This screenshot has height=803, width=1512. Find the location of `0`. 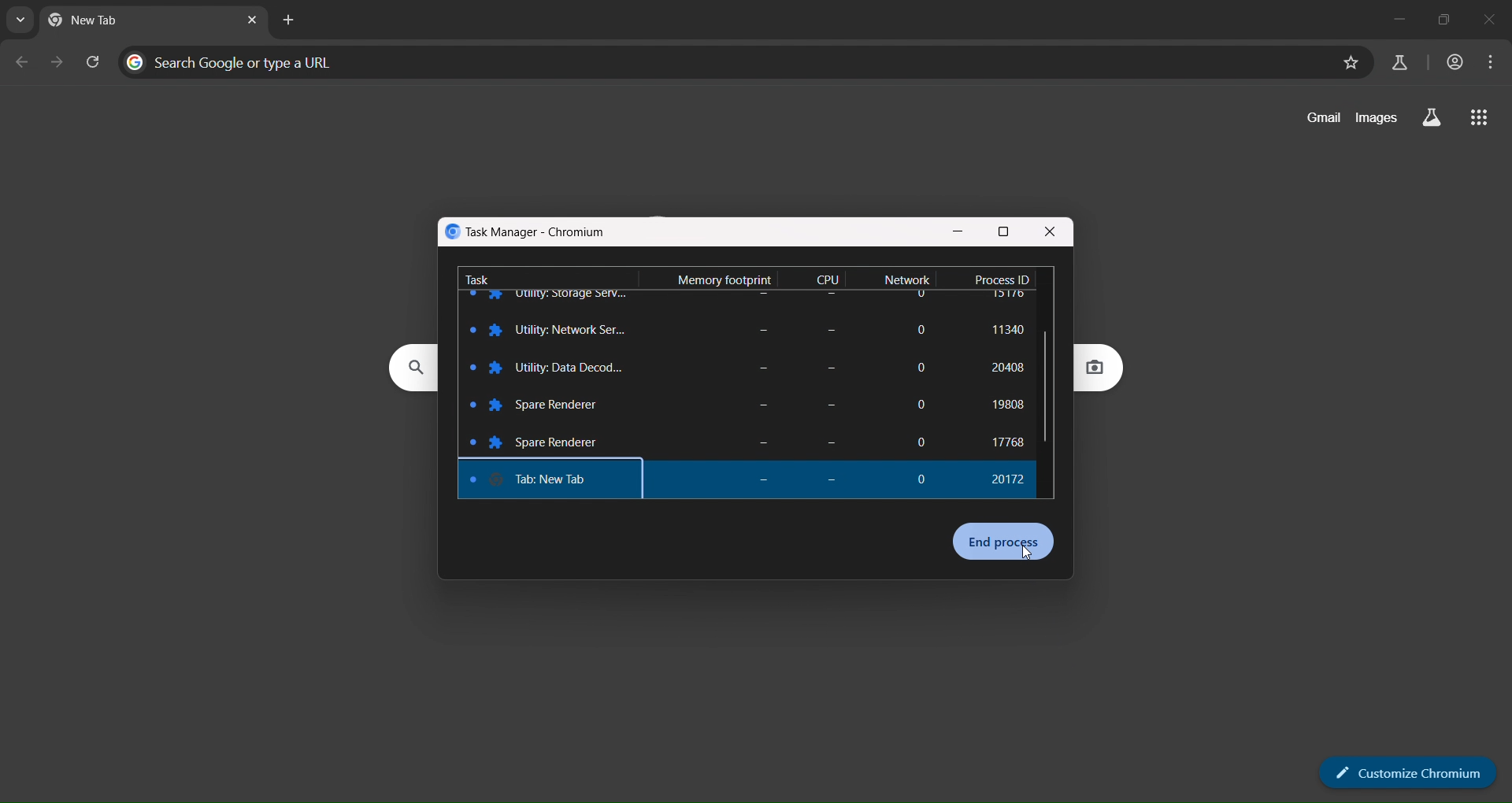

0 is located at coordinates (921, 441).